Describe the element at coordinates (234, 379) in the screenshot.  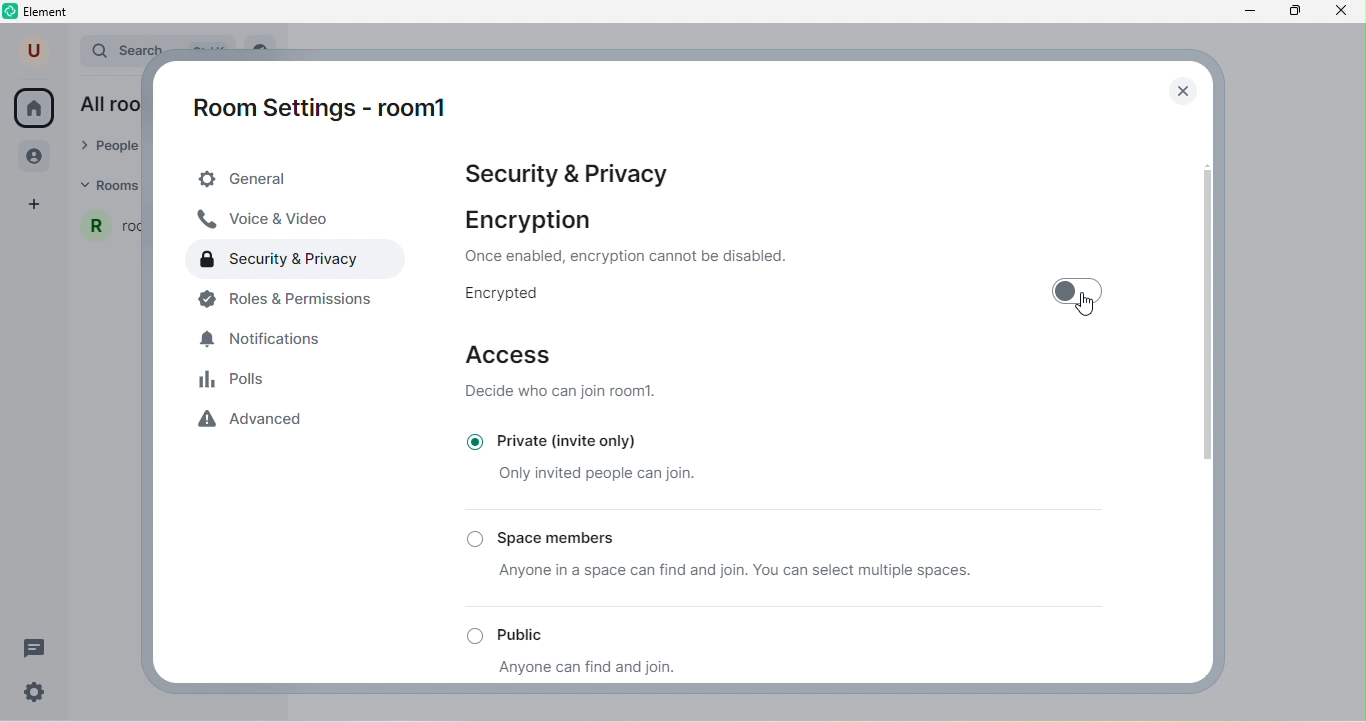
I see `polls` at that location.